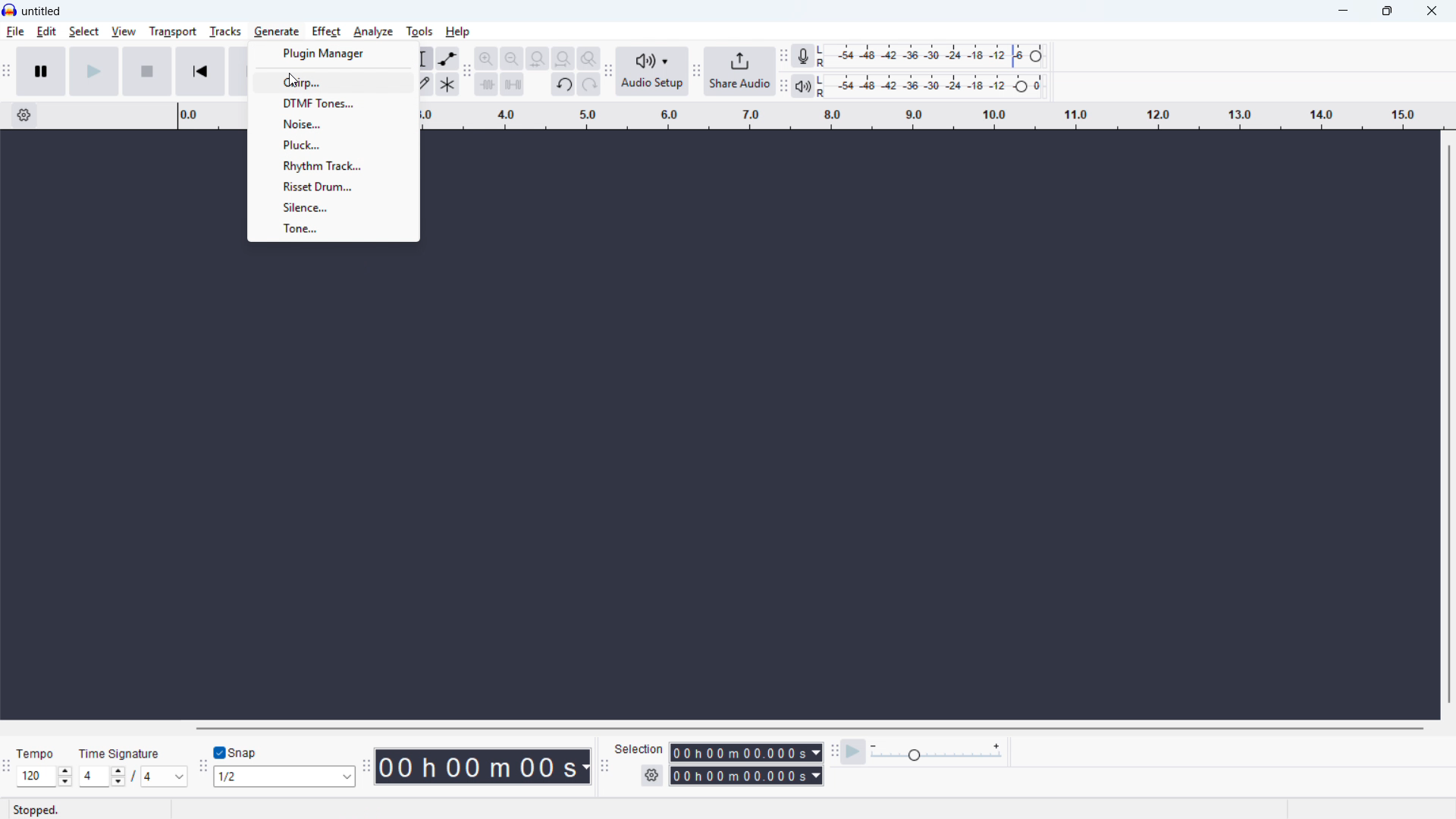  What do you see at coordinates (538, 59) in the screenshot?
I see `Quit selection to width ` at bounding box center [538, 59].